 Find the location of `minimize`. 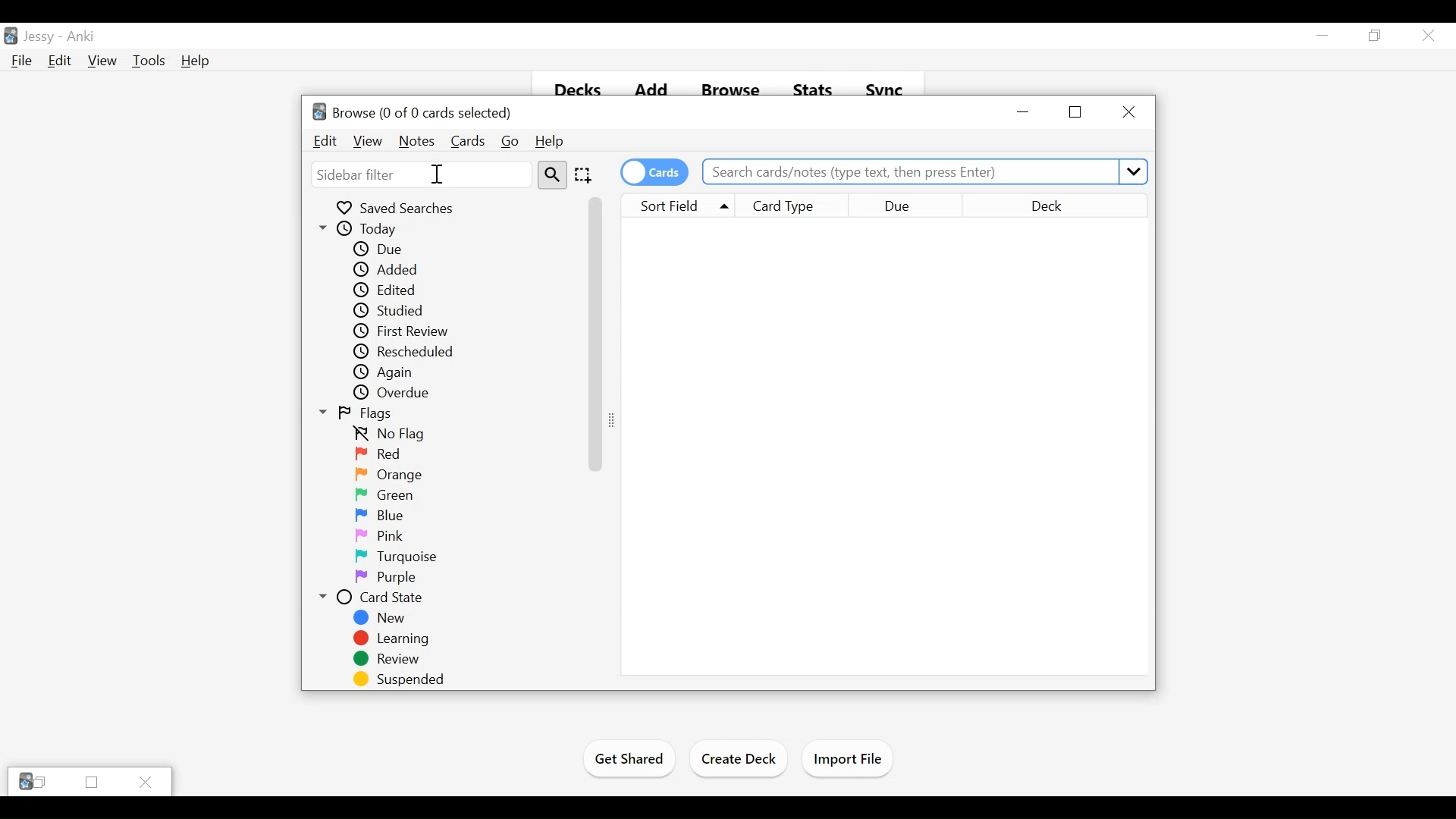

minimize is located at coordinates (1025, 113).